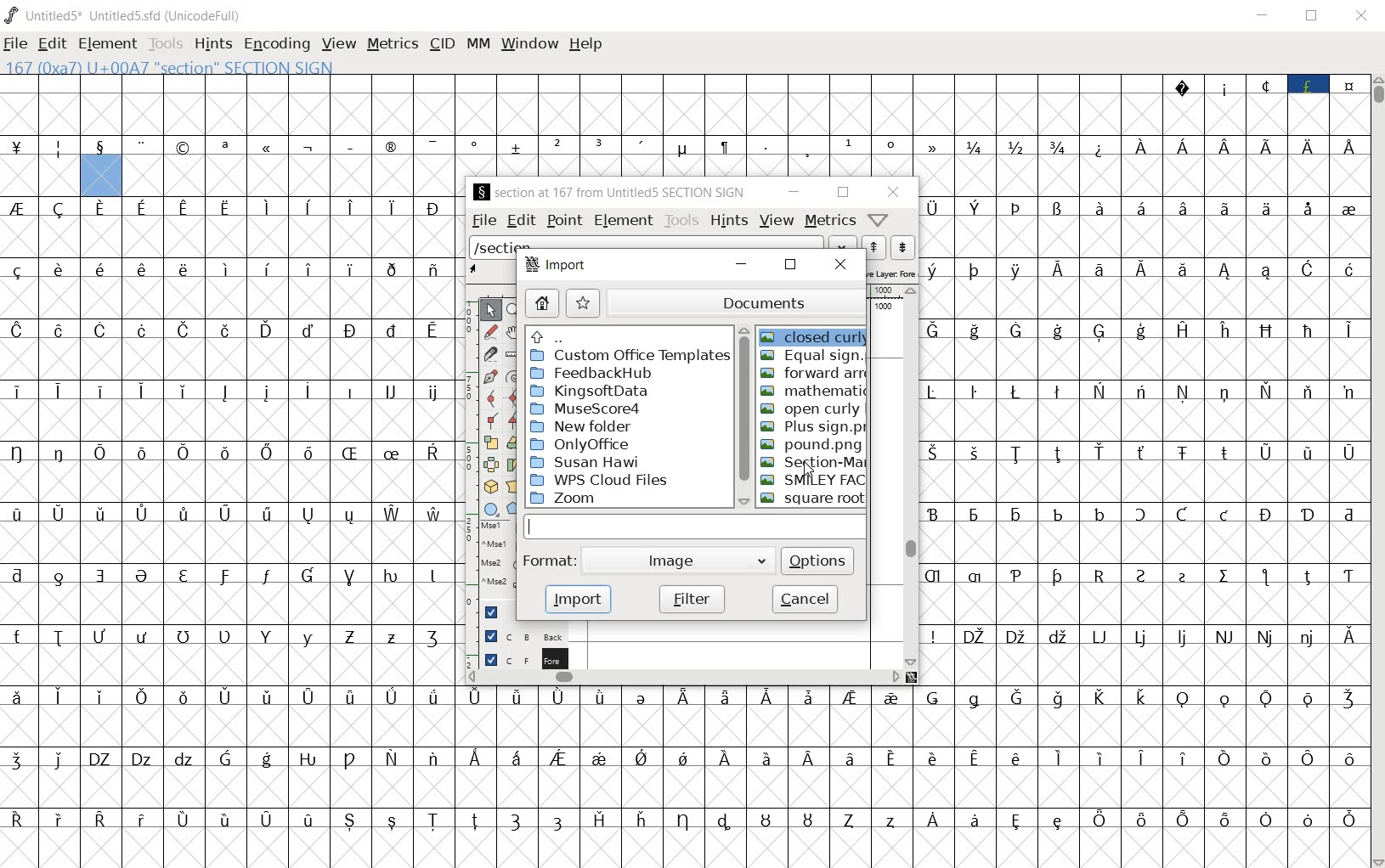  Describe the element at coordinates (1241, 146) in the screenshot. I see `special letters` at that location.